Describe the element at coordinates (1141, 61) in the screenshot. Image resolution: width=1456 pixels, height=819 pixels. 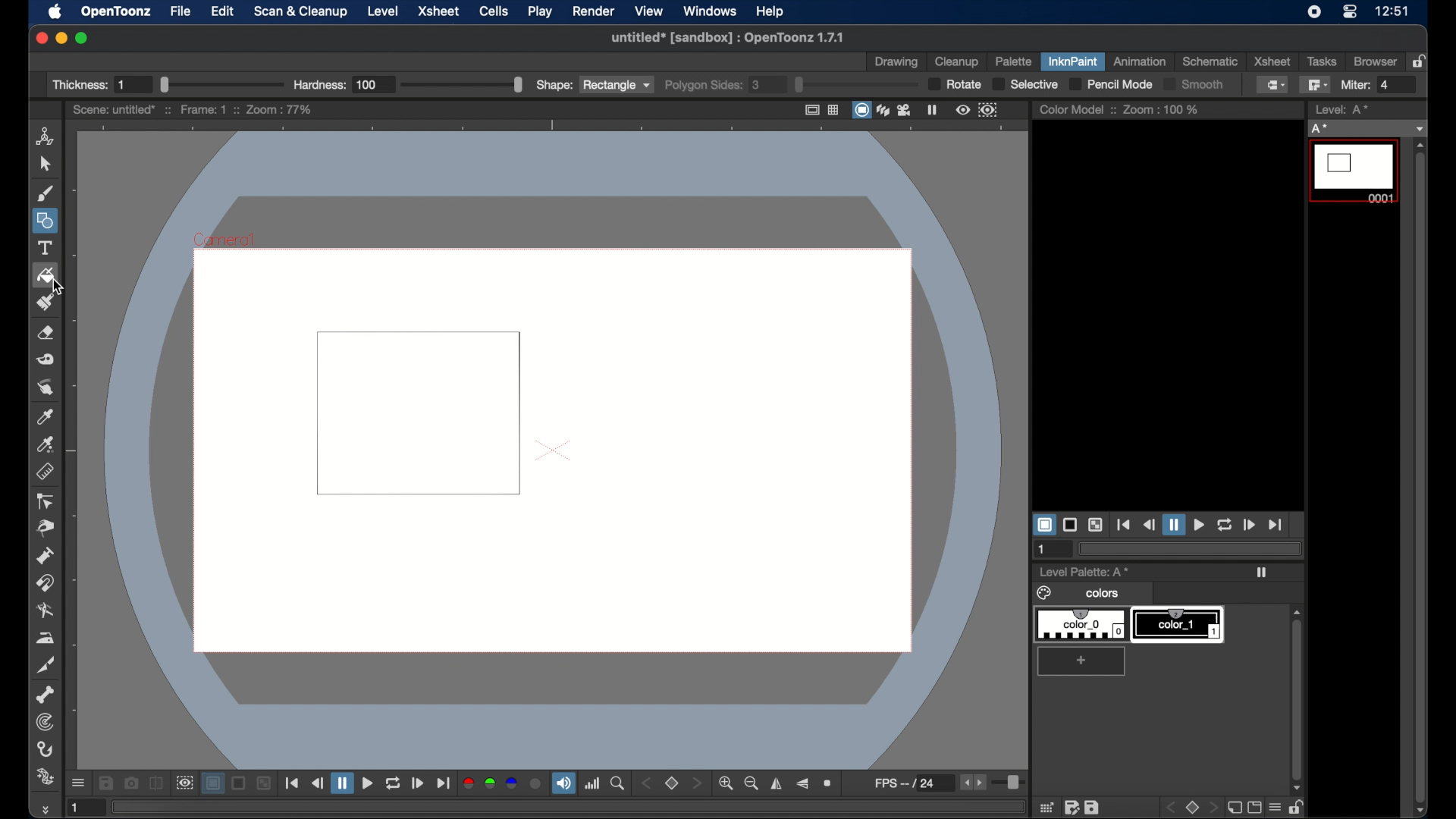
I see `animation` at that location.